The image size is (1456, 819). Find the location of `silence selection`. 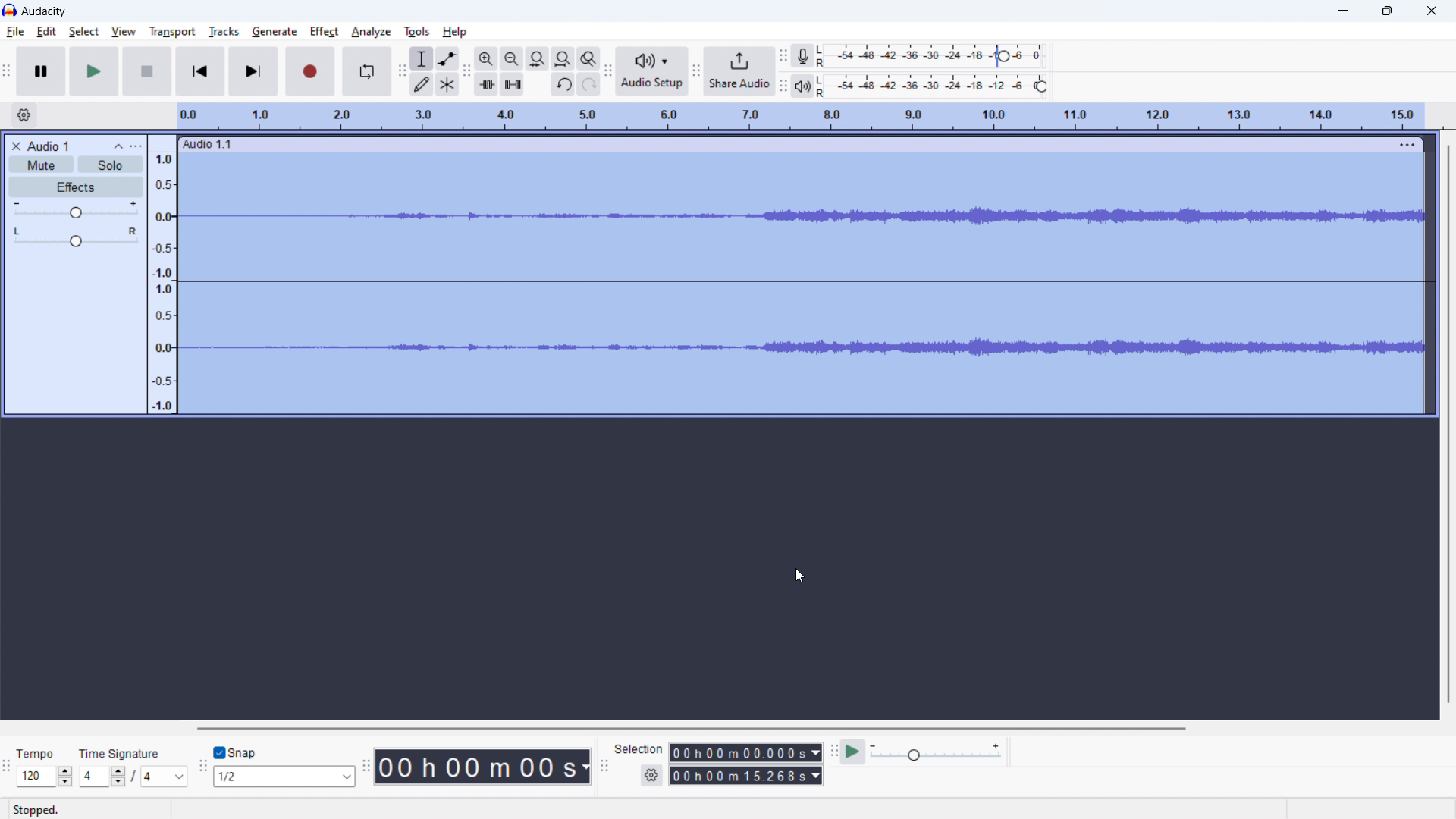

silence selection is located at coordinates (512, 84).